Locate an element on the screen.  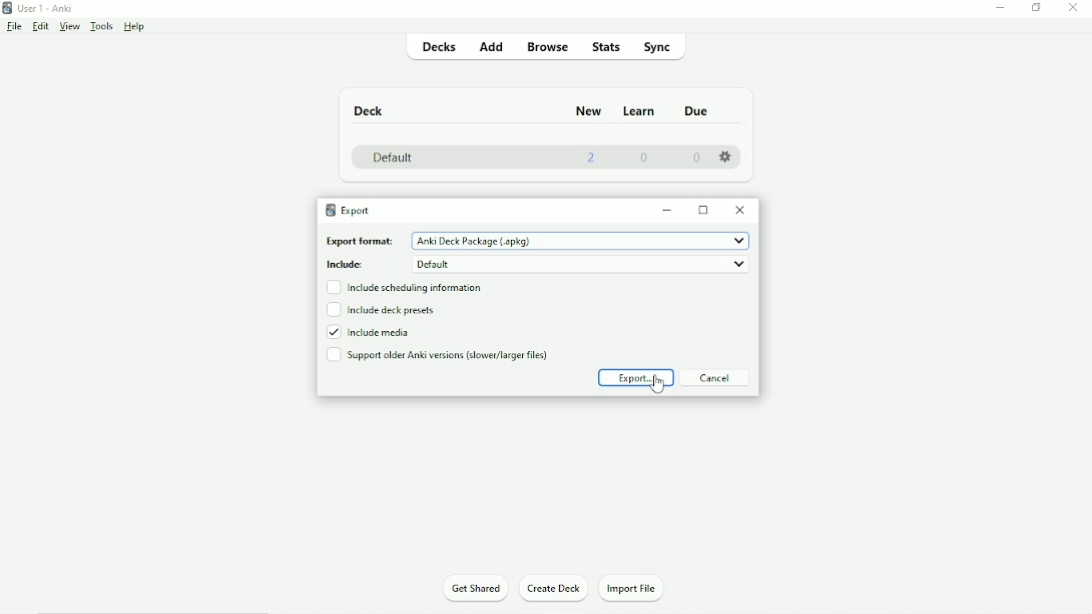
Edit is located at coordinates (40, 26).